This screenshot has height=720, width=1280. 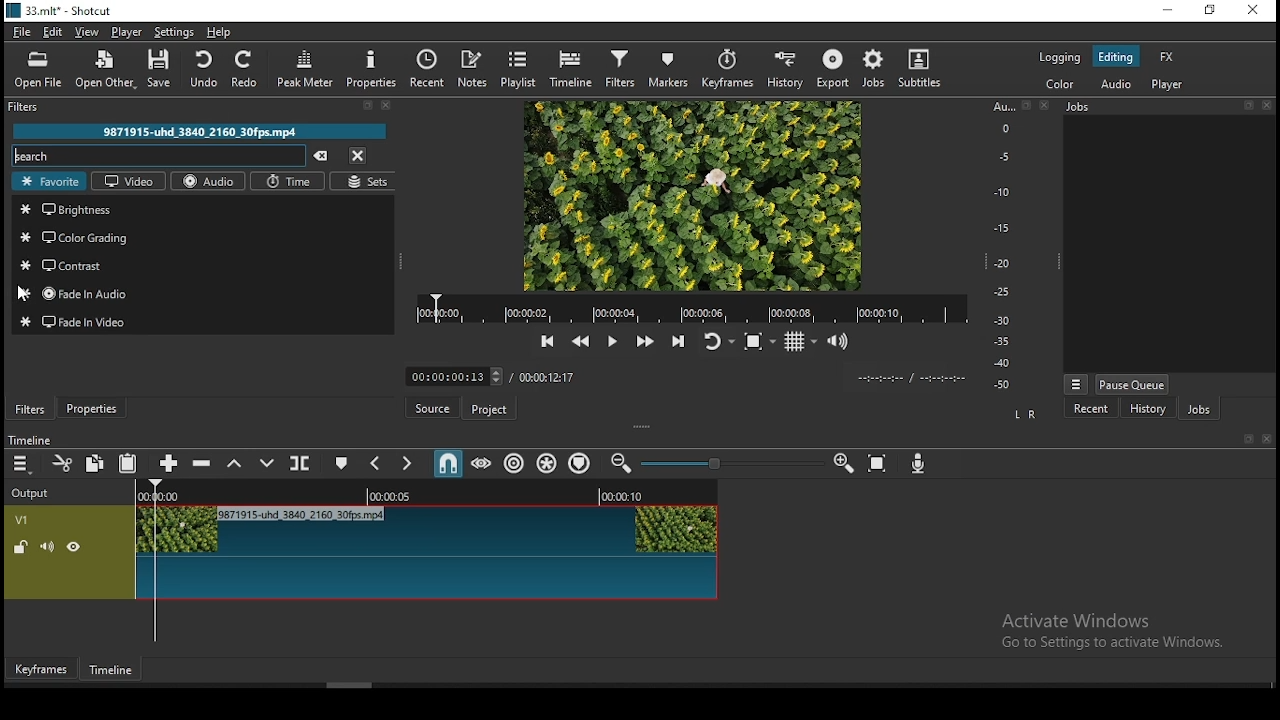 What do you see at coordinates (427, 66) in the screenshot?
I see `recent` at bounding box center [427, 66].